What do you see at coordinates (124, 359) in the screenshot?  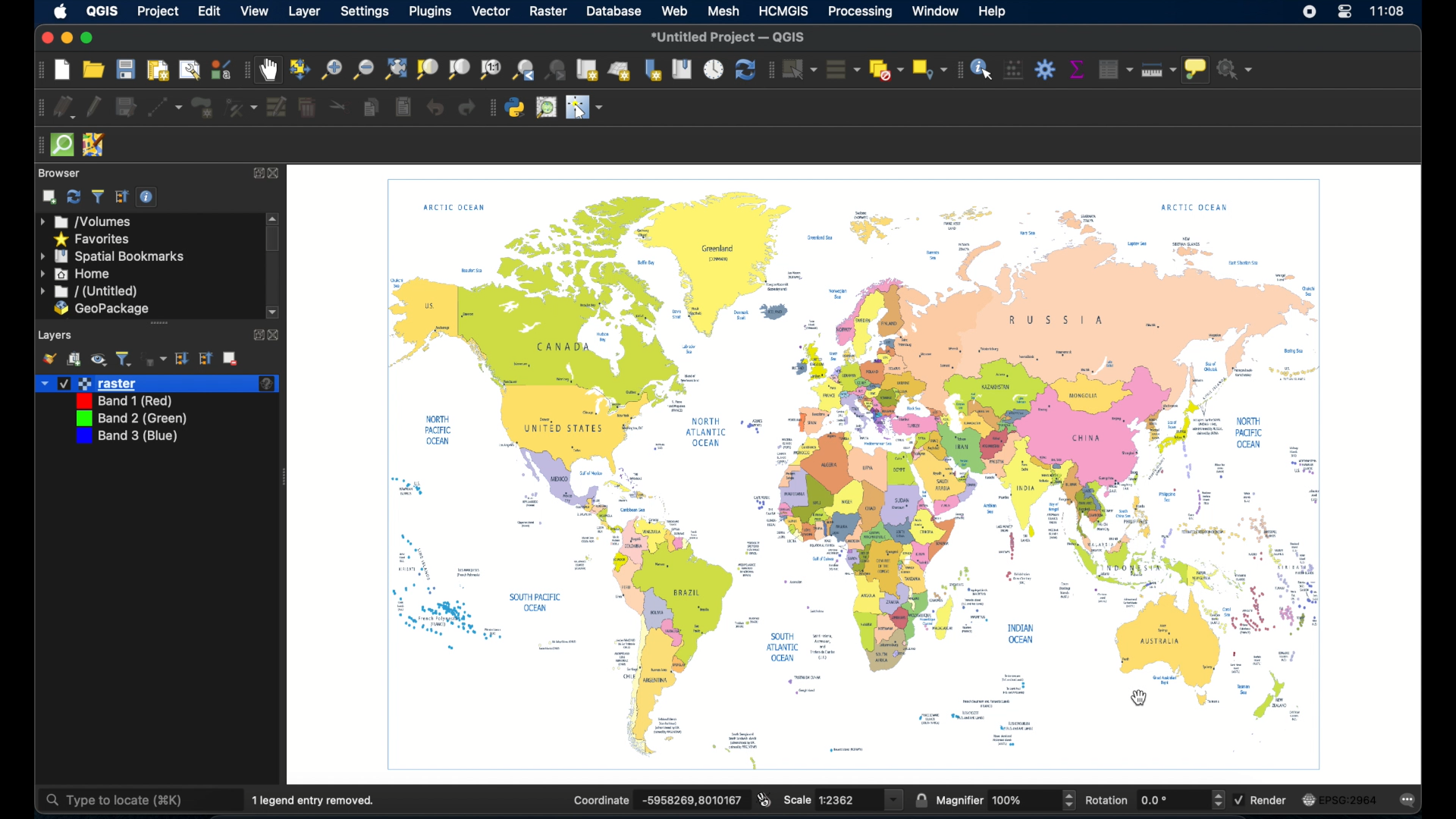 I see `filter layer` at bounding box center [124, 359].